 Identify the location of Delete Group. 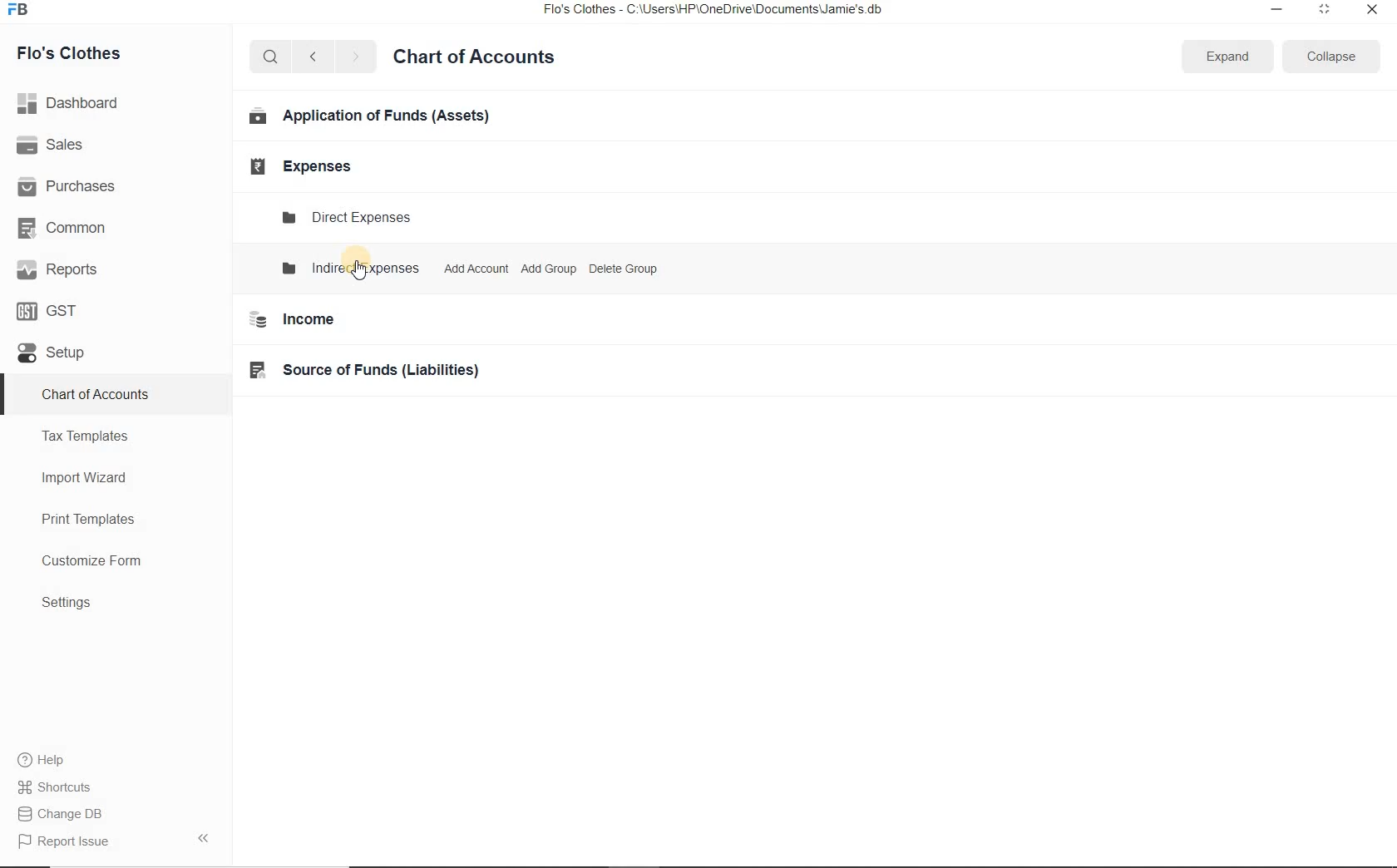
(625, 271).